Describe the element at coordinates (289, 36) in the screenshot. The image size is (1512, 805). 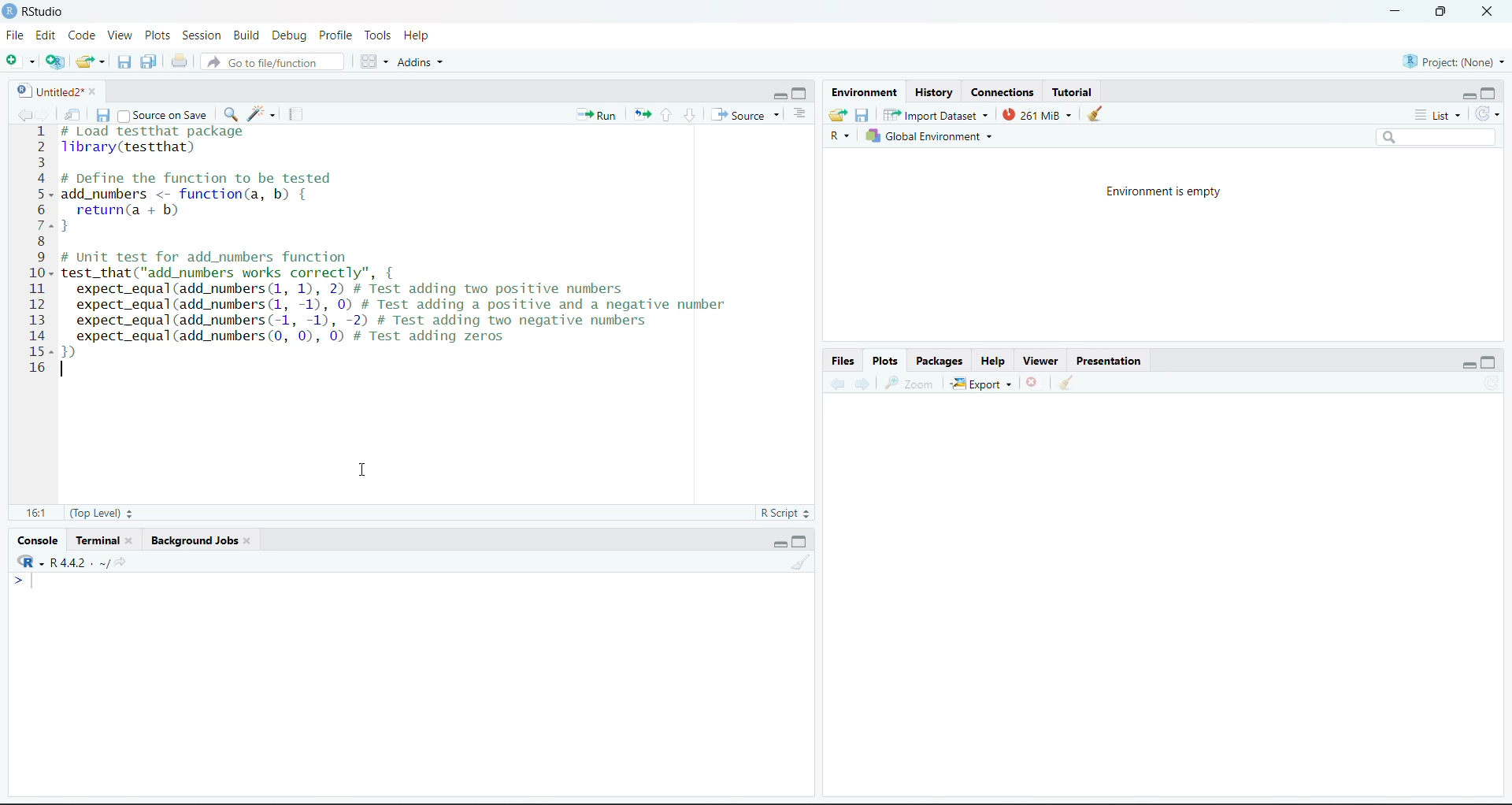
I see `Debug` at that location.